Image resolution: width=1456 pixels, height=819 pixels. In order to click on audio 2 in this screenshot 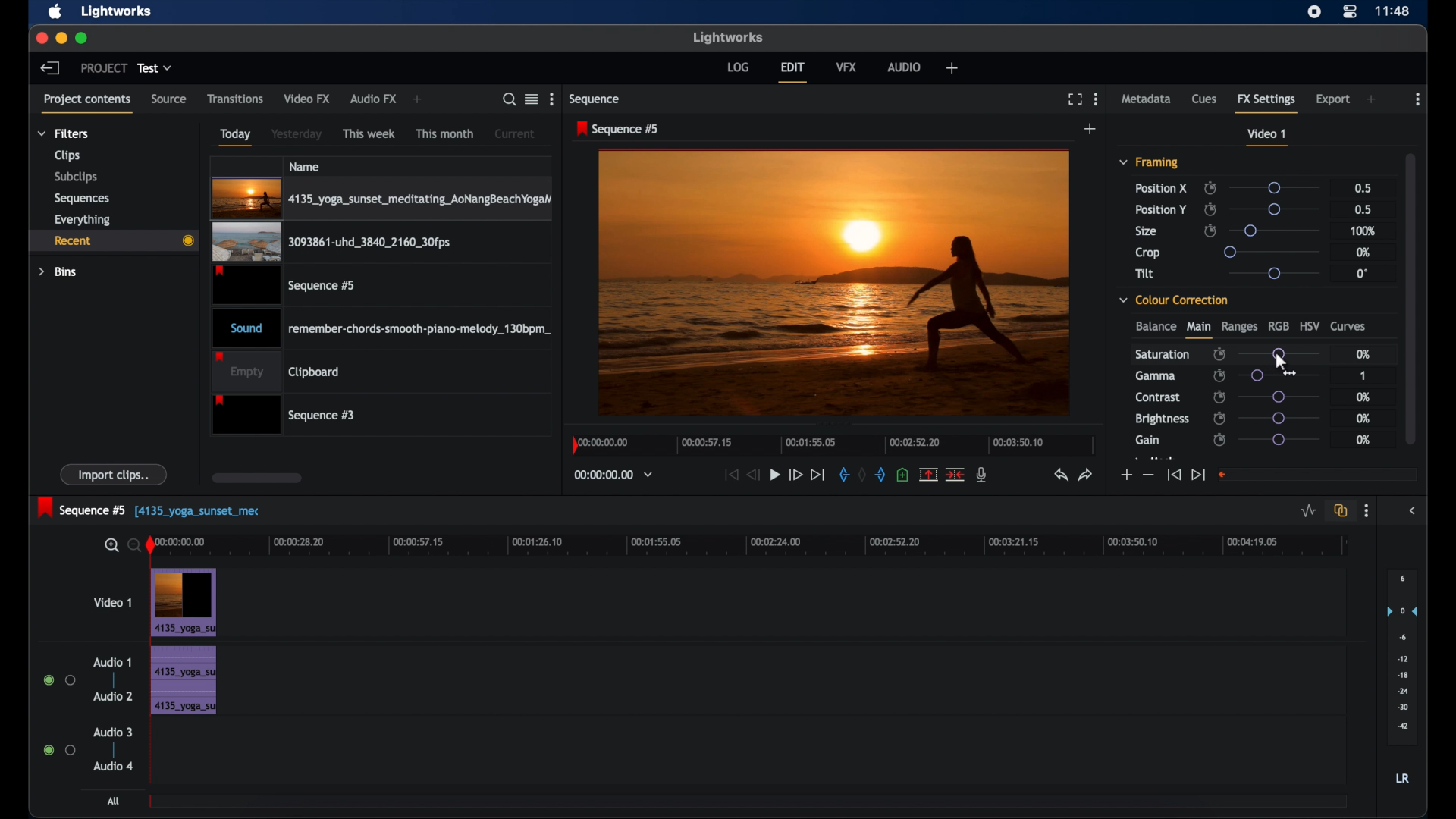, I will do `click(112, 696)`.